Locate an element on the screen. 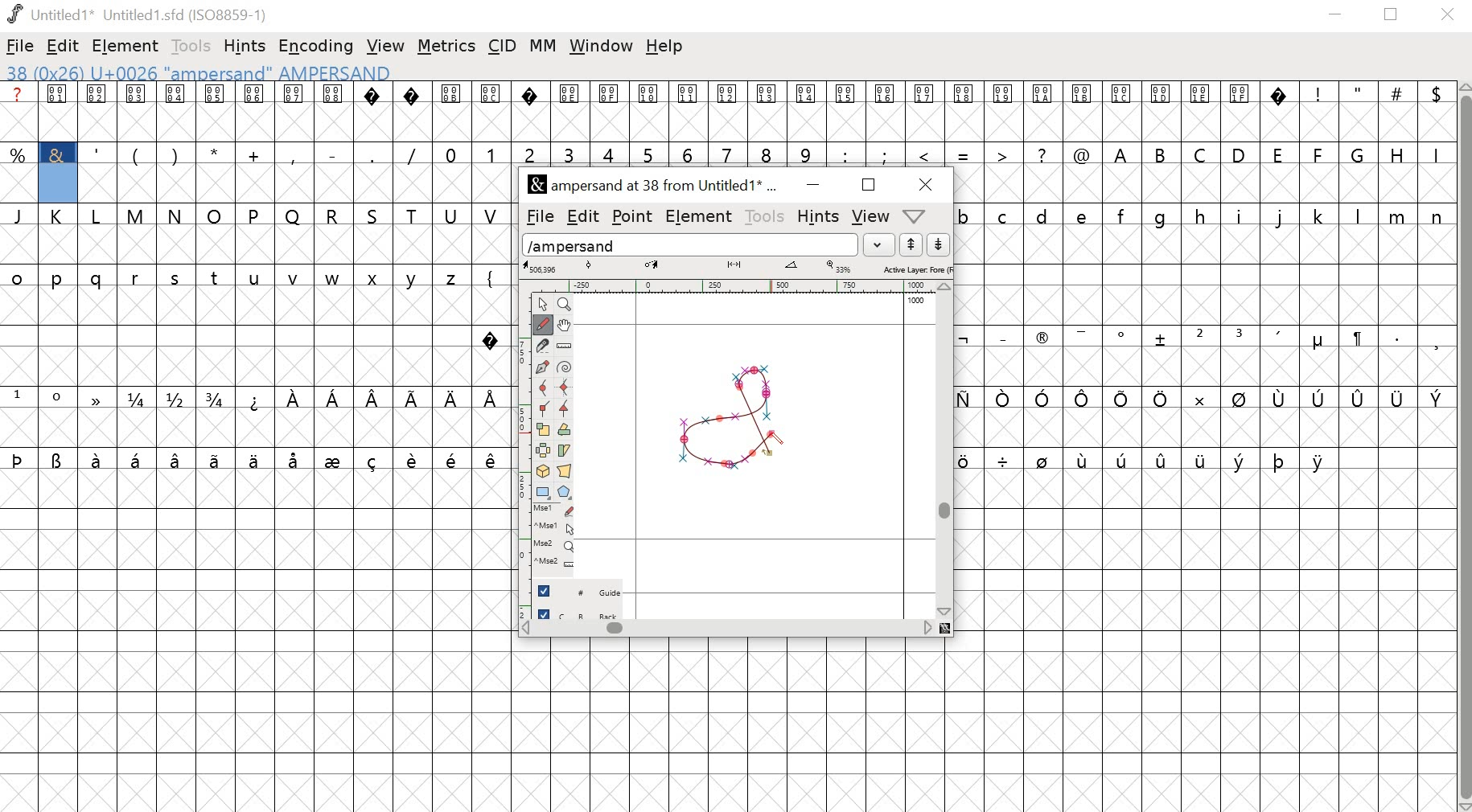  0007 is located at coordinates (294, 111).